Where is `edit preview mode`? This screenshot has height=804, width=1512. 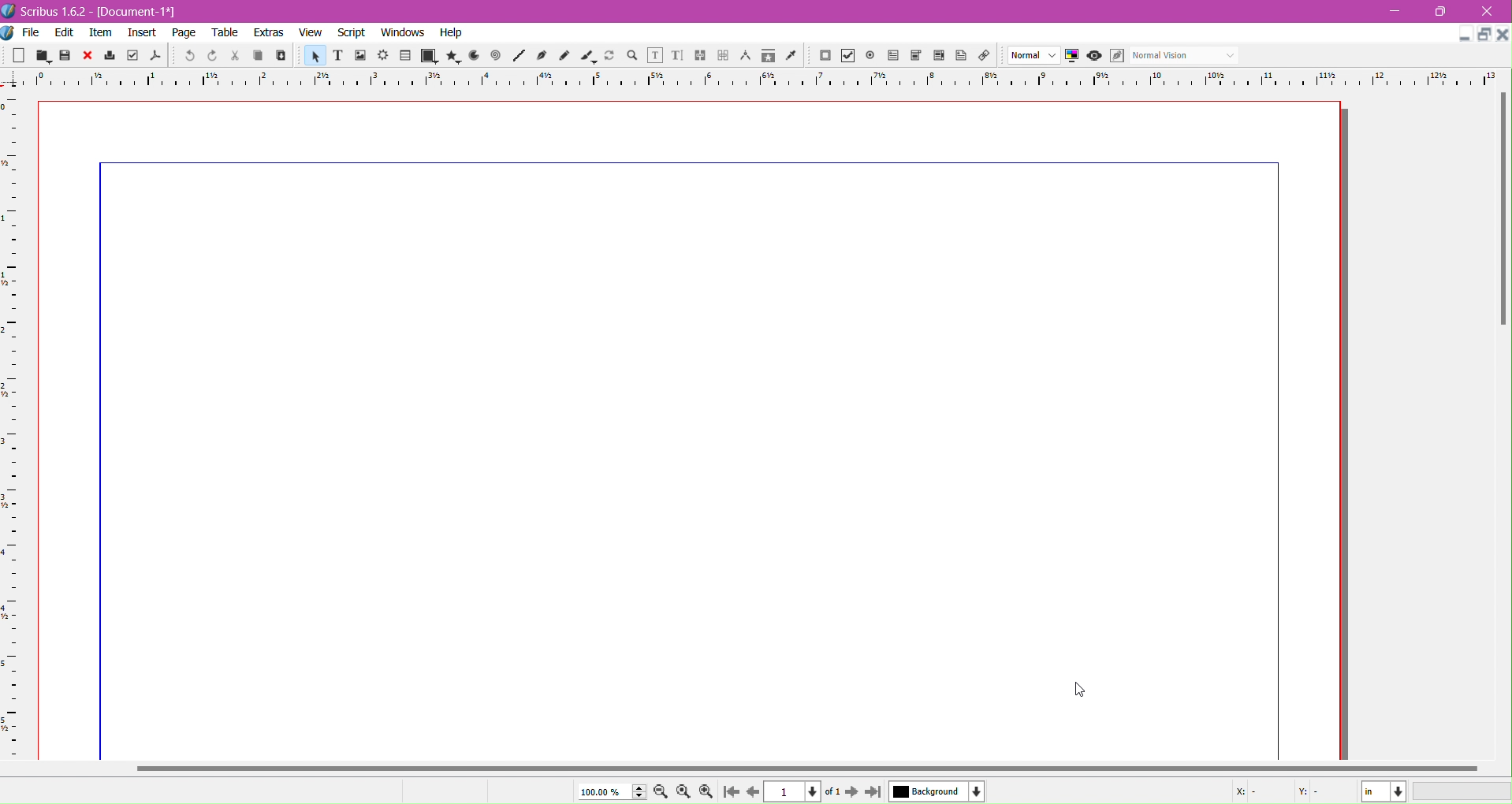
edit preview mode is located at coordinates (1116, 56).